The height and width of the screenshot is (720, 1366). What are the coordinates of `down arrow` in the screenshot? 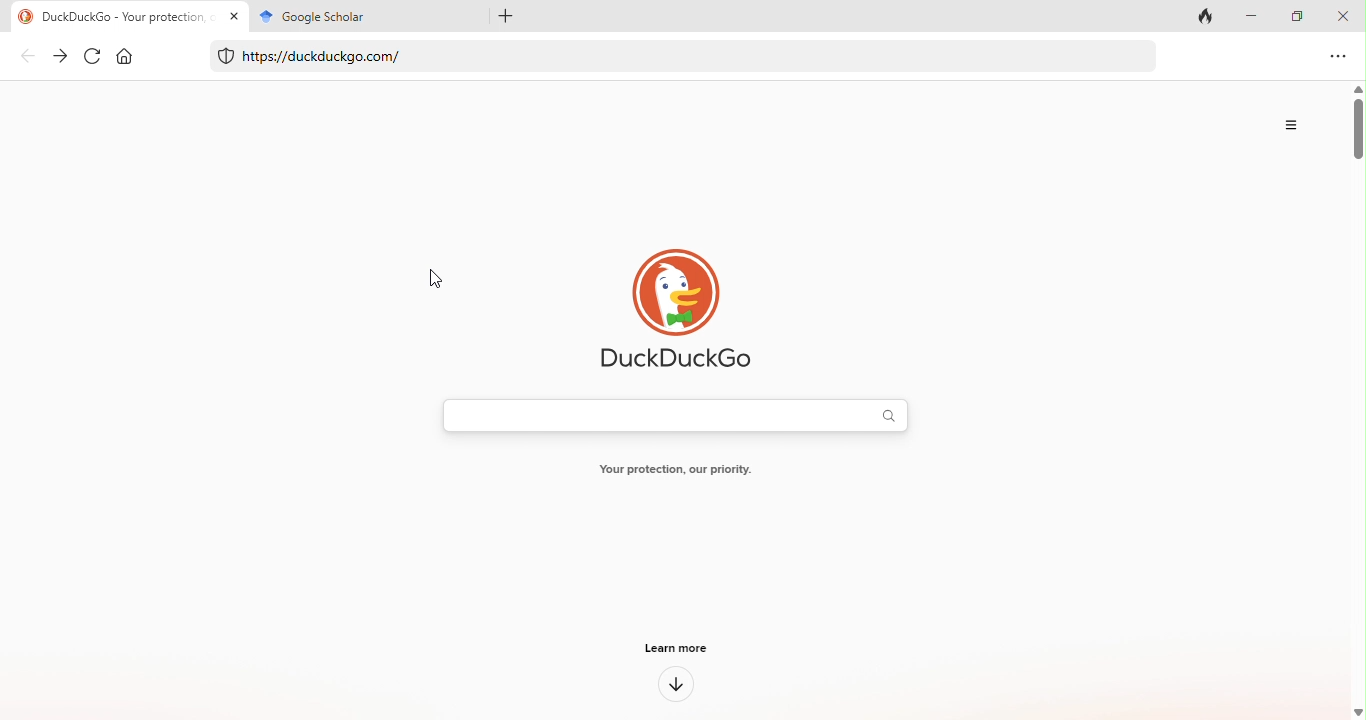 It's located at (676, 686).